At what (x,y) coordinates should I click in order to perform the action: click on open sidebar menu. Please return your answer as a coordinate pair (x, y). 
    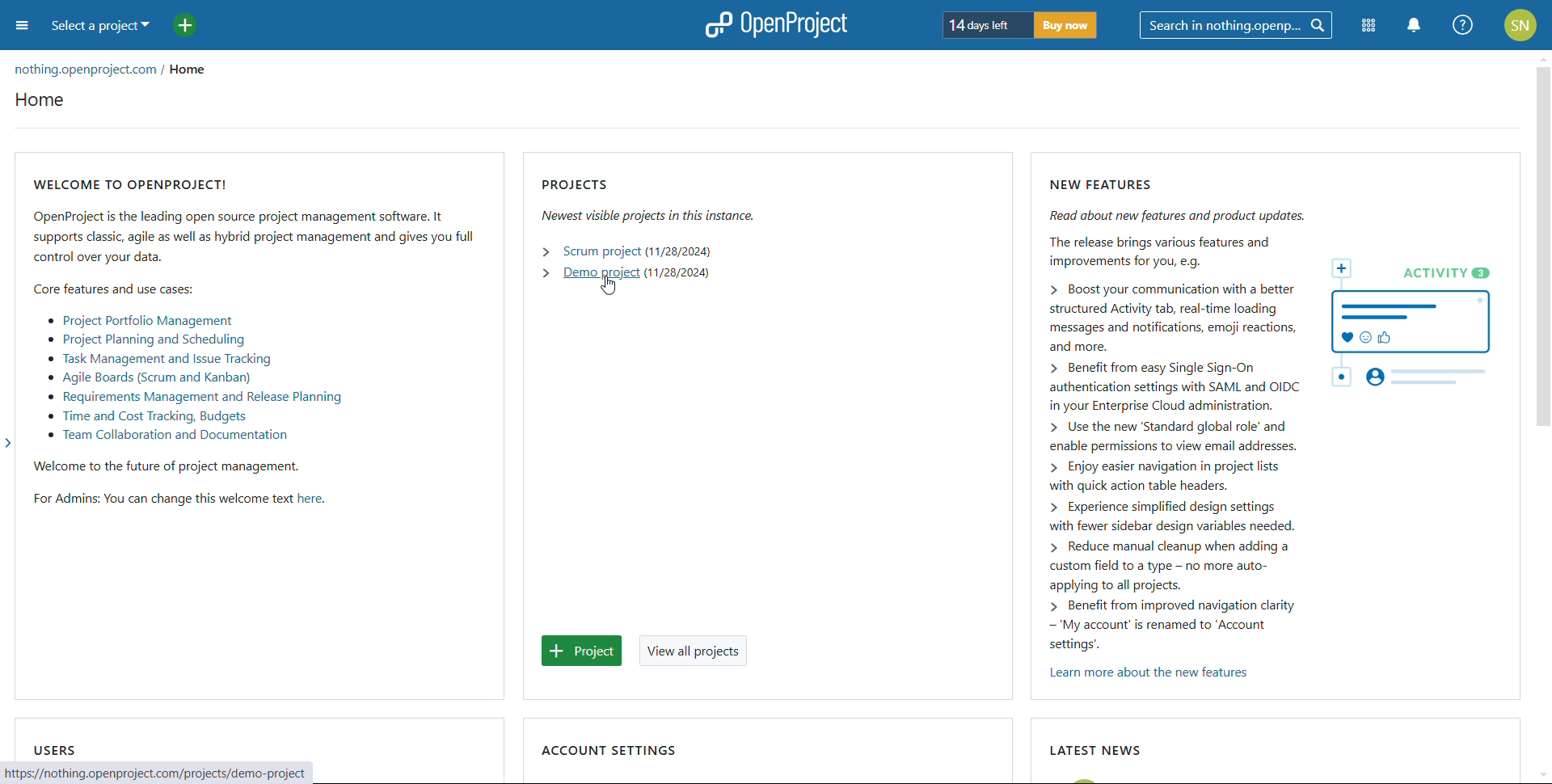
    Looking at the image, I should click on (22, 26).